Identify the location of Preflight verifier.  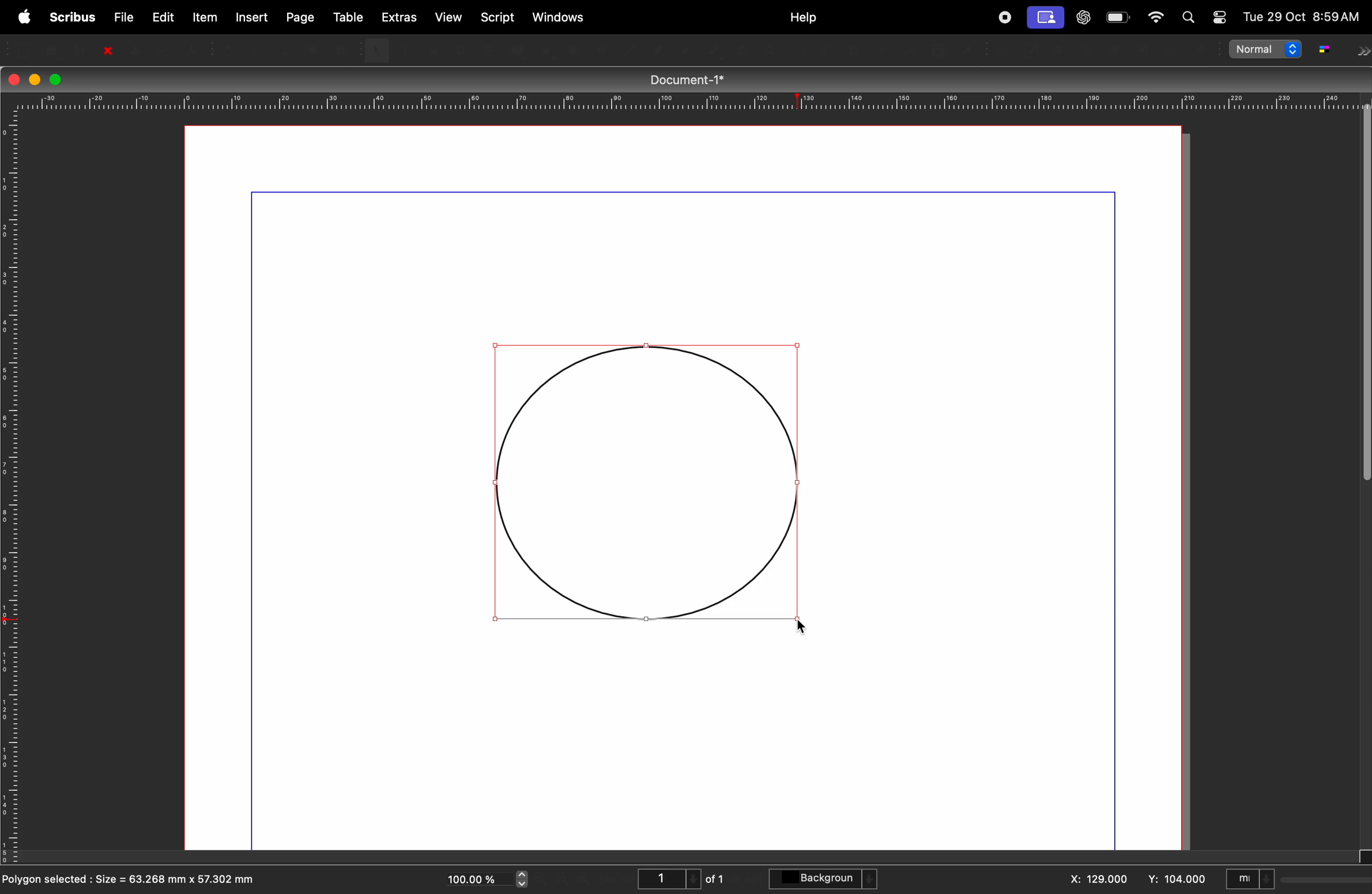
(165, 48).